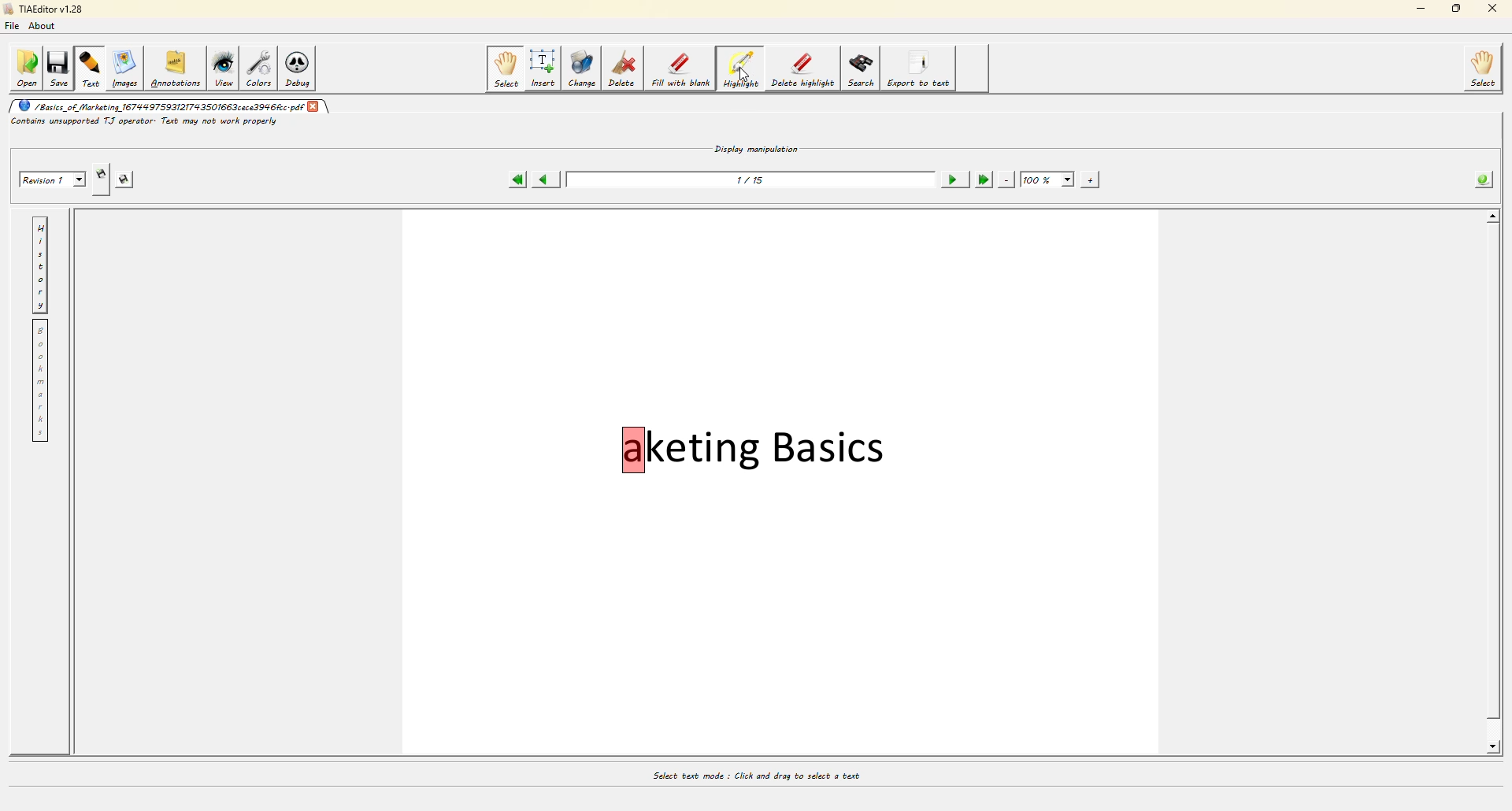 This screenshot has height=811, width=1512. What do you see at coordinates (176, 69) in the screenshot?
I see `annotations` at bounding box center [176, 69].